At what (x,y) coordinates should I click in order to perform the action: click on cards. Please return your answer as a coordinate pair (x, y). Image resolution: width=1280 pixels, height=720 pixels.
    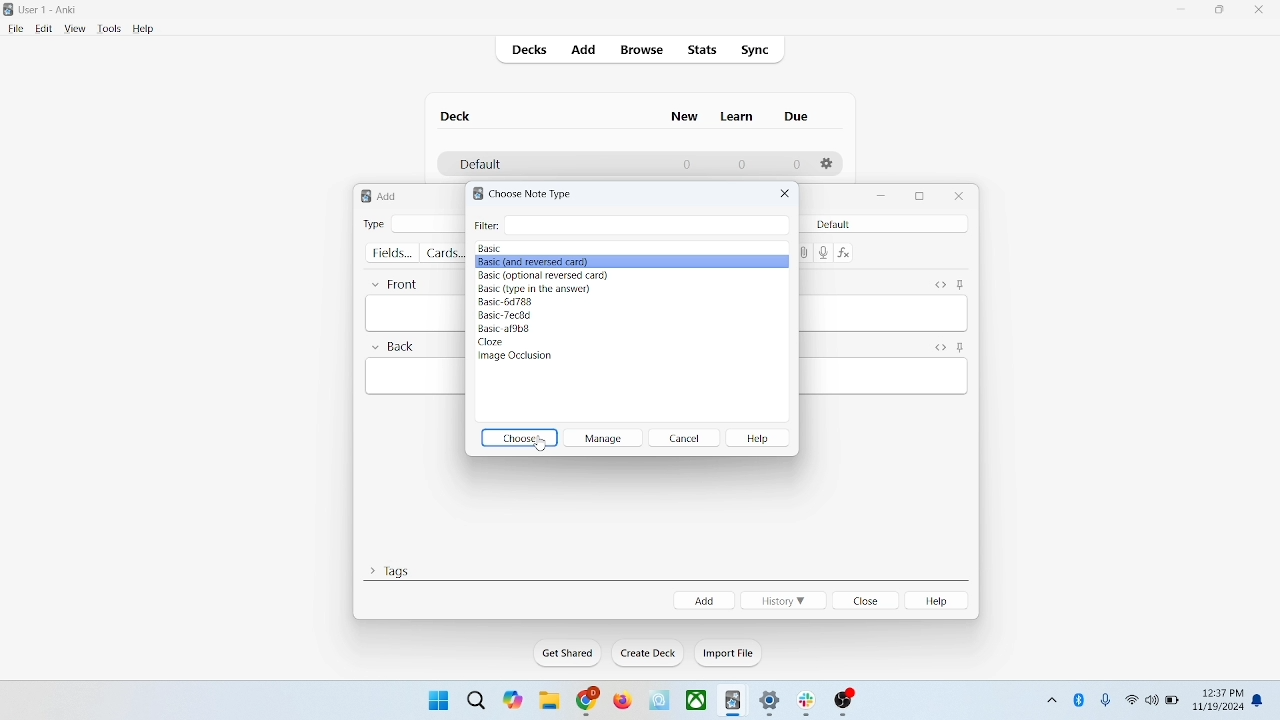
    Looking at the image, I should click on (442, 254).